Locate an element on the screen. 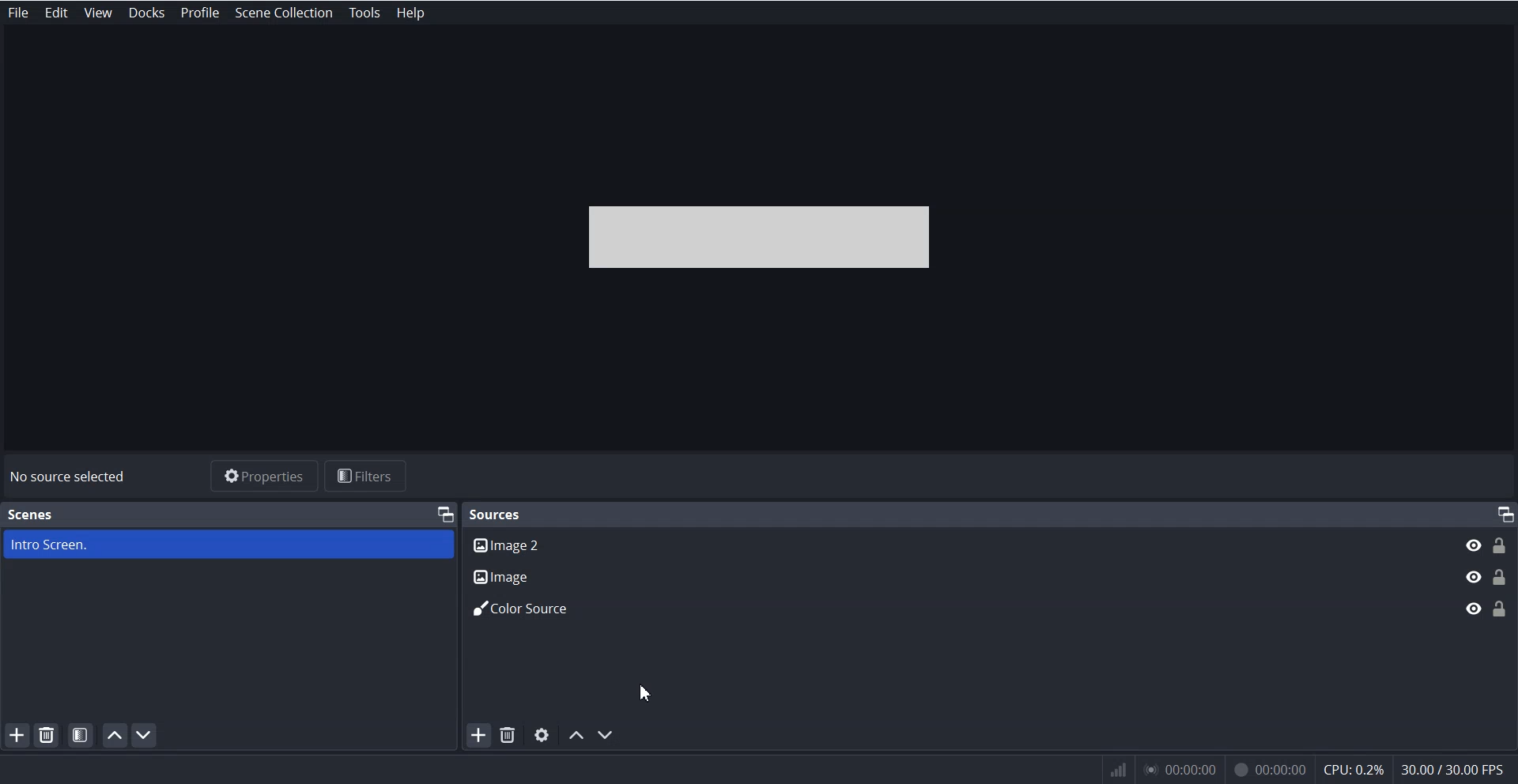 This screenshot has height=784, width=1518. Lock is located at coordinates (1501, 575).